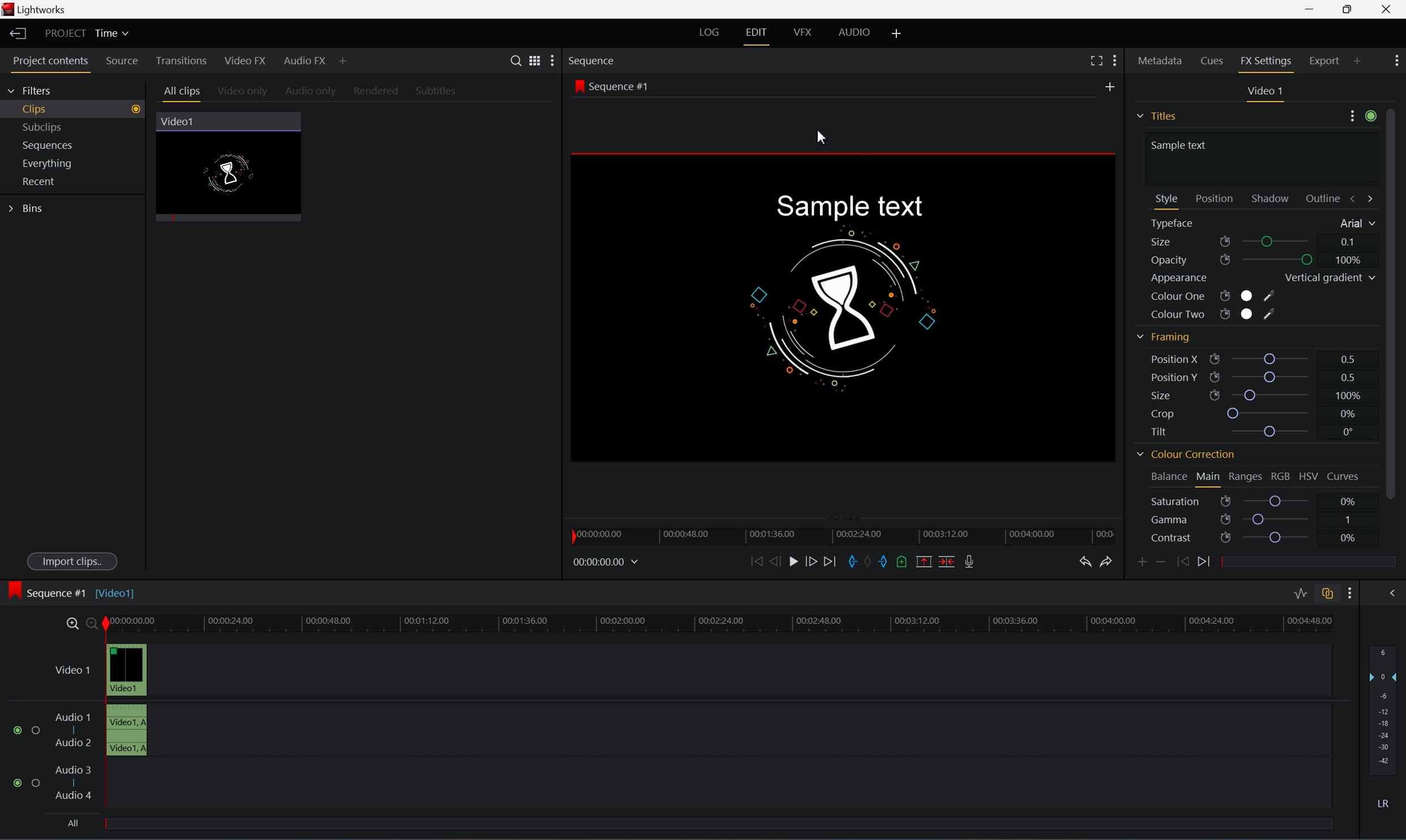 The width and height of the screenshot is (1406, 840). What do you see at coordinates (1212, 298) in the screenshot?
I see `colour one` at bounding box center [1212, 298].